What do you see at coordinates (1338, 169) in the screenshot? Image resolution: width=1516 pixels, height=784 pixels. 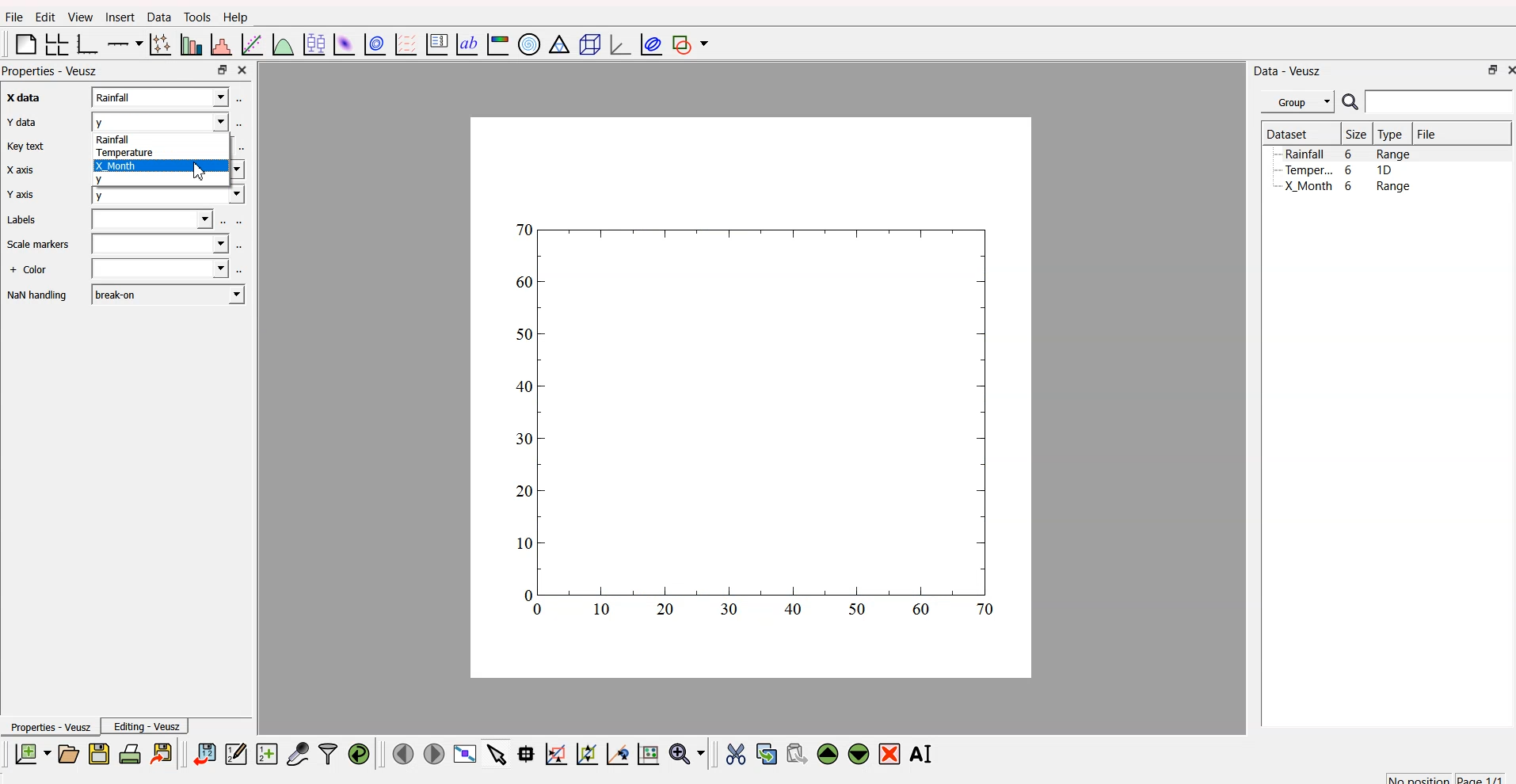 I see `Temper... 6 1D` at bounding box center [1338, 169].